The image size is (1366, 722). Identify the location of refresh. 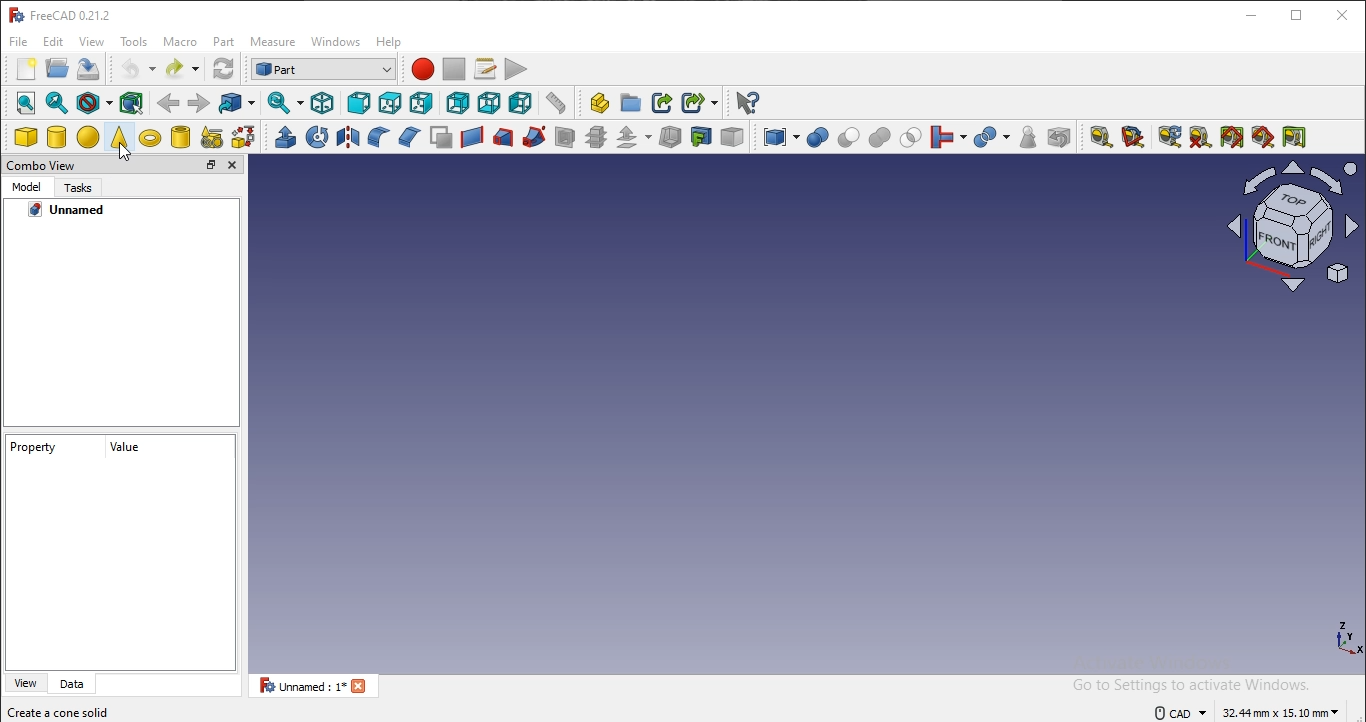
(225, 68).